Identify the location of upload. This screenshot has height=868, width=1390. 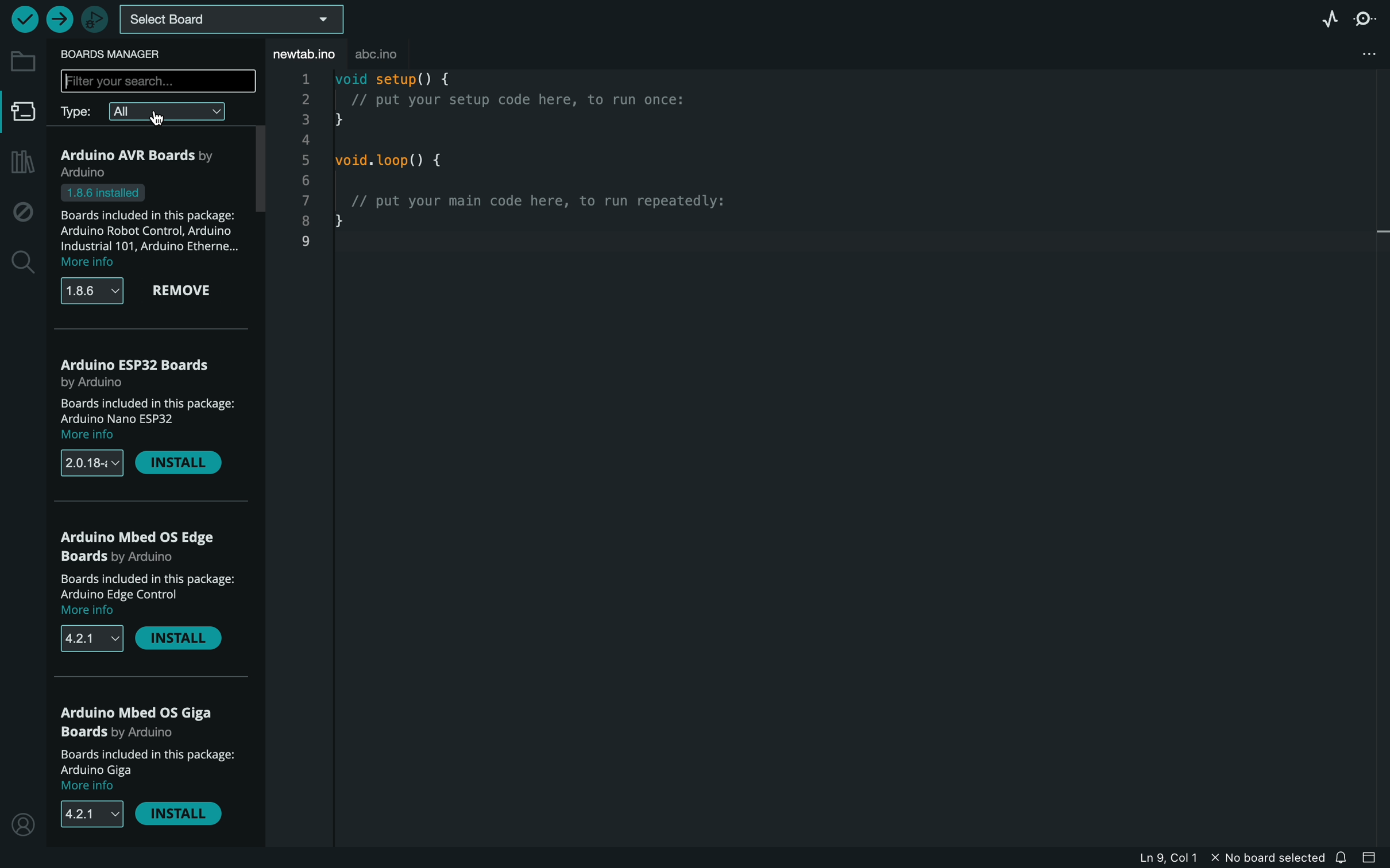
(57, 16).